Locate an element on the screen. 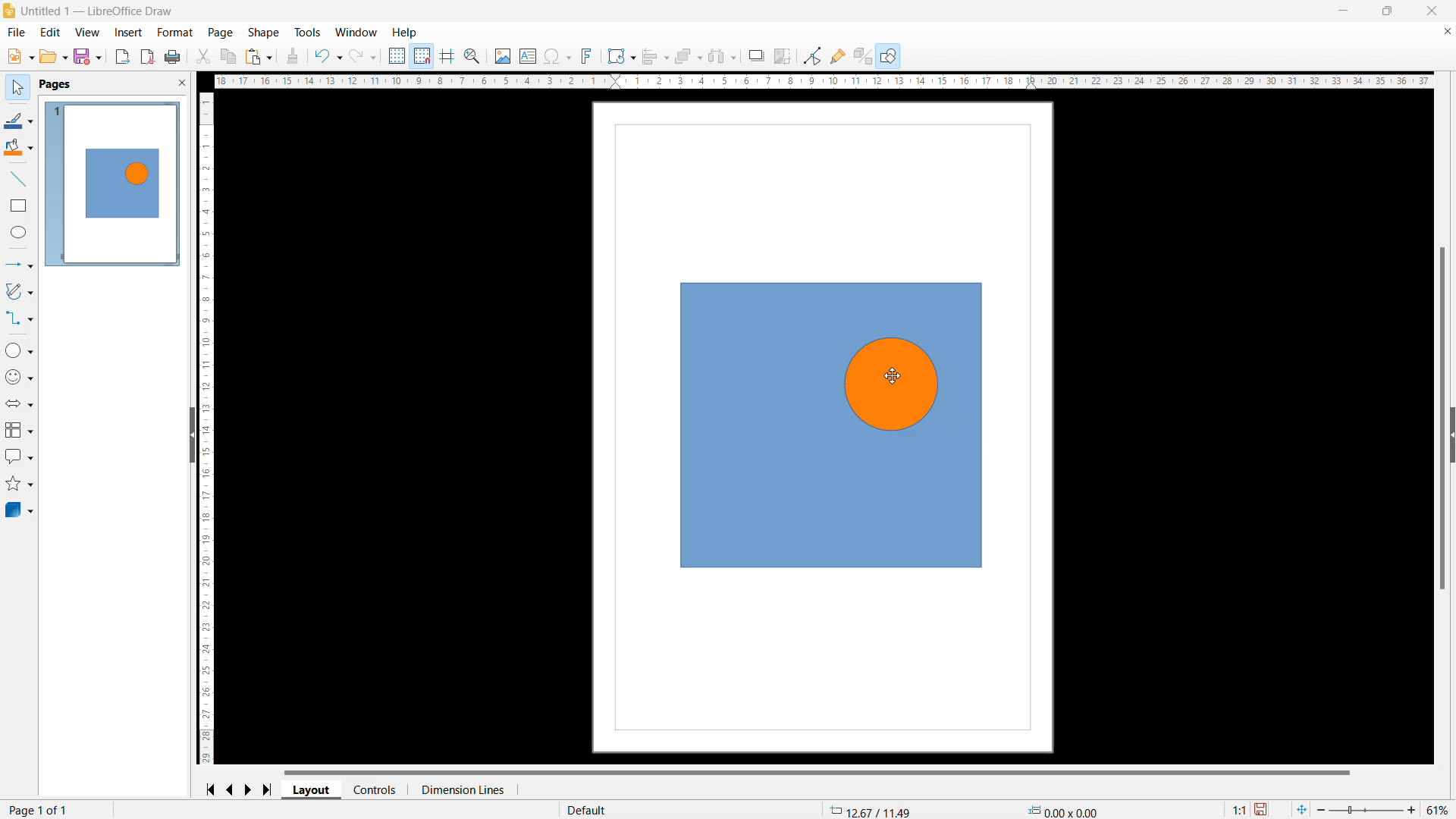 The height and width of the screenshot is (819, 1456). insert textbox is located at coordinates (528, 57).